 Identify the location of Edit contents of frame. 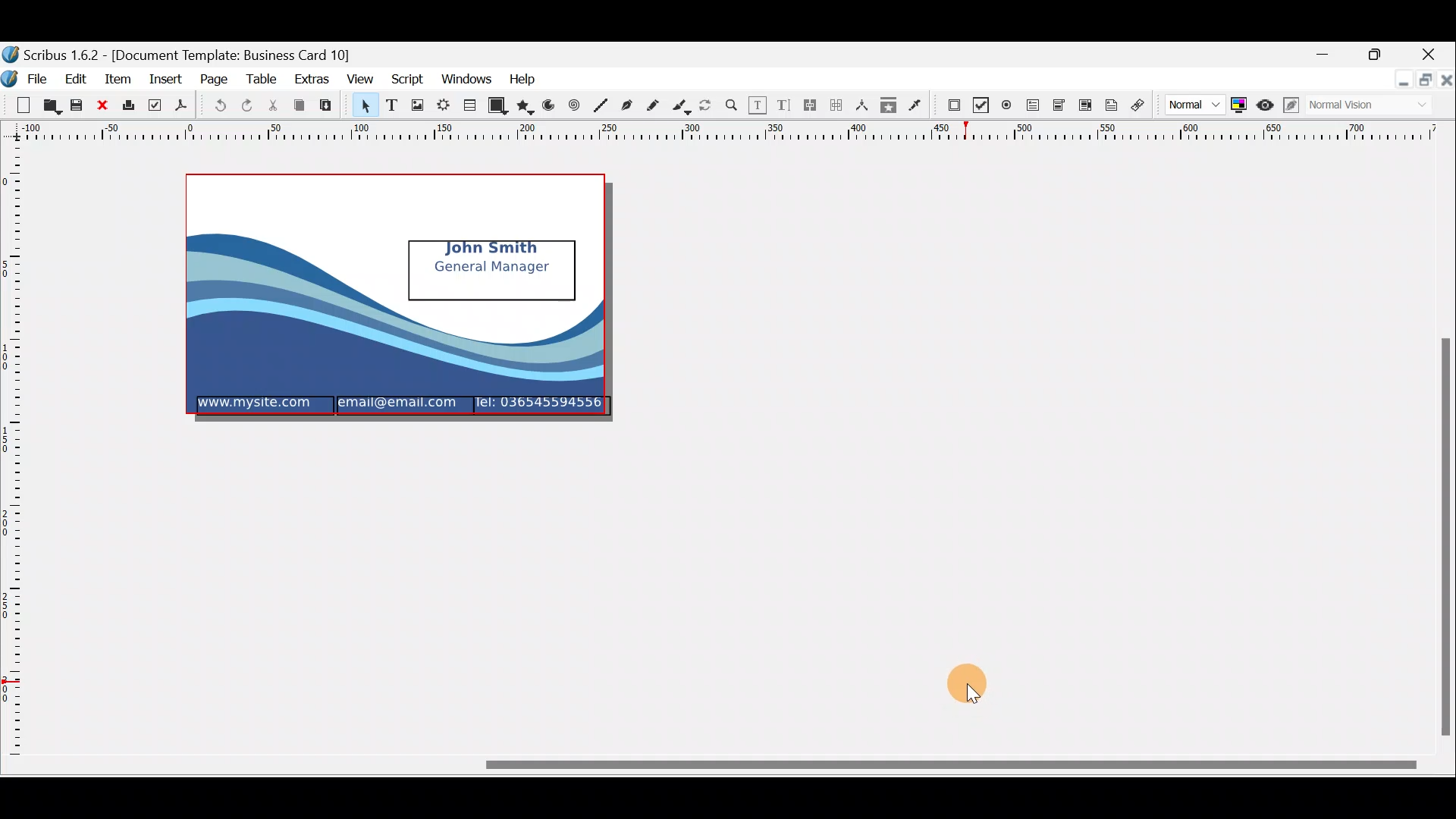
(759, 106).